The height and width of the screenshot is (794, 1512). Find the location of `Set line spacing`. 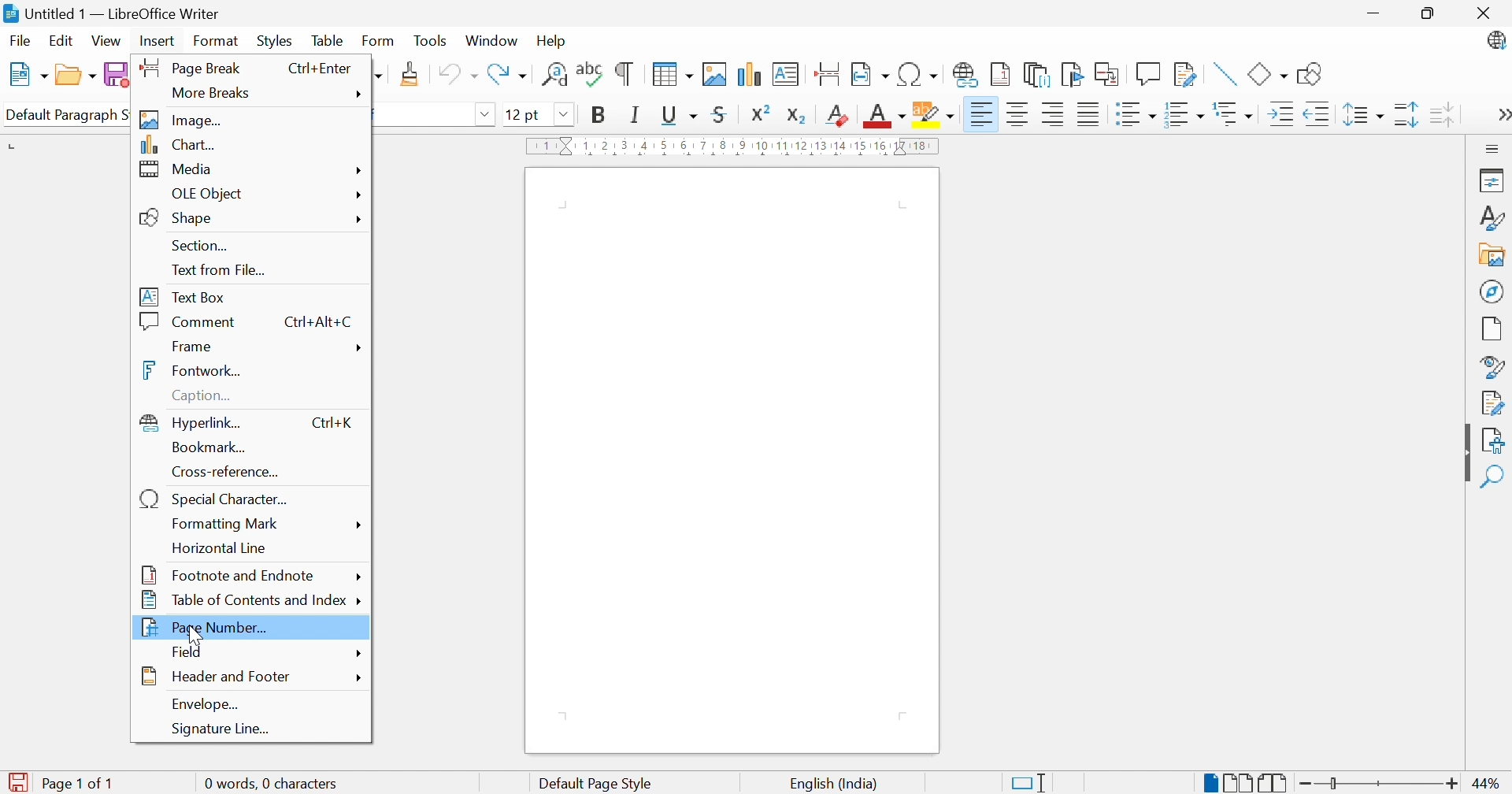

Set line spacing is located at coordinates (1365, 114).